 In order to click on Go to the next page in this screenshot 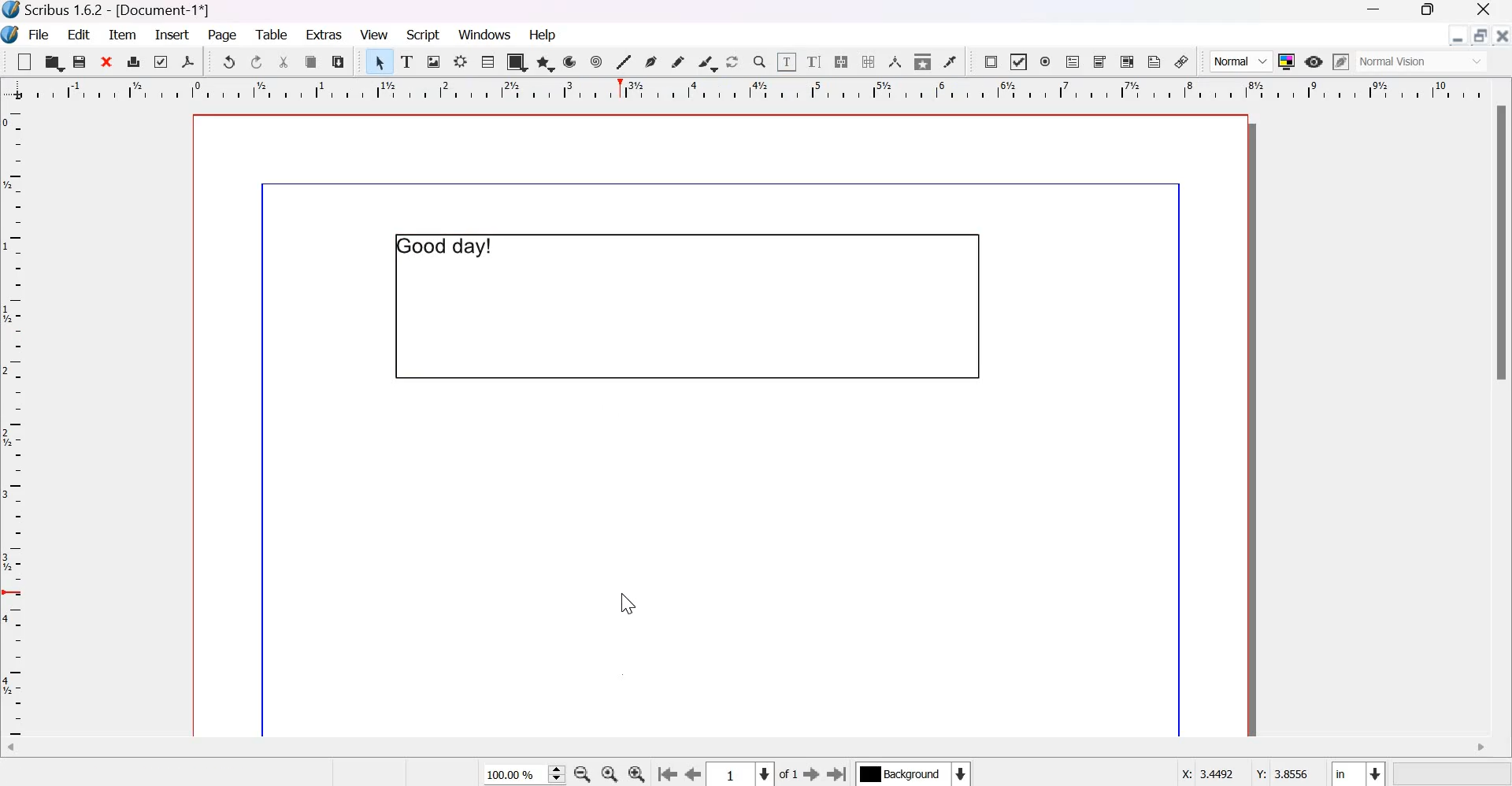, I will do `click(811, 774)`.